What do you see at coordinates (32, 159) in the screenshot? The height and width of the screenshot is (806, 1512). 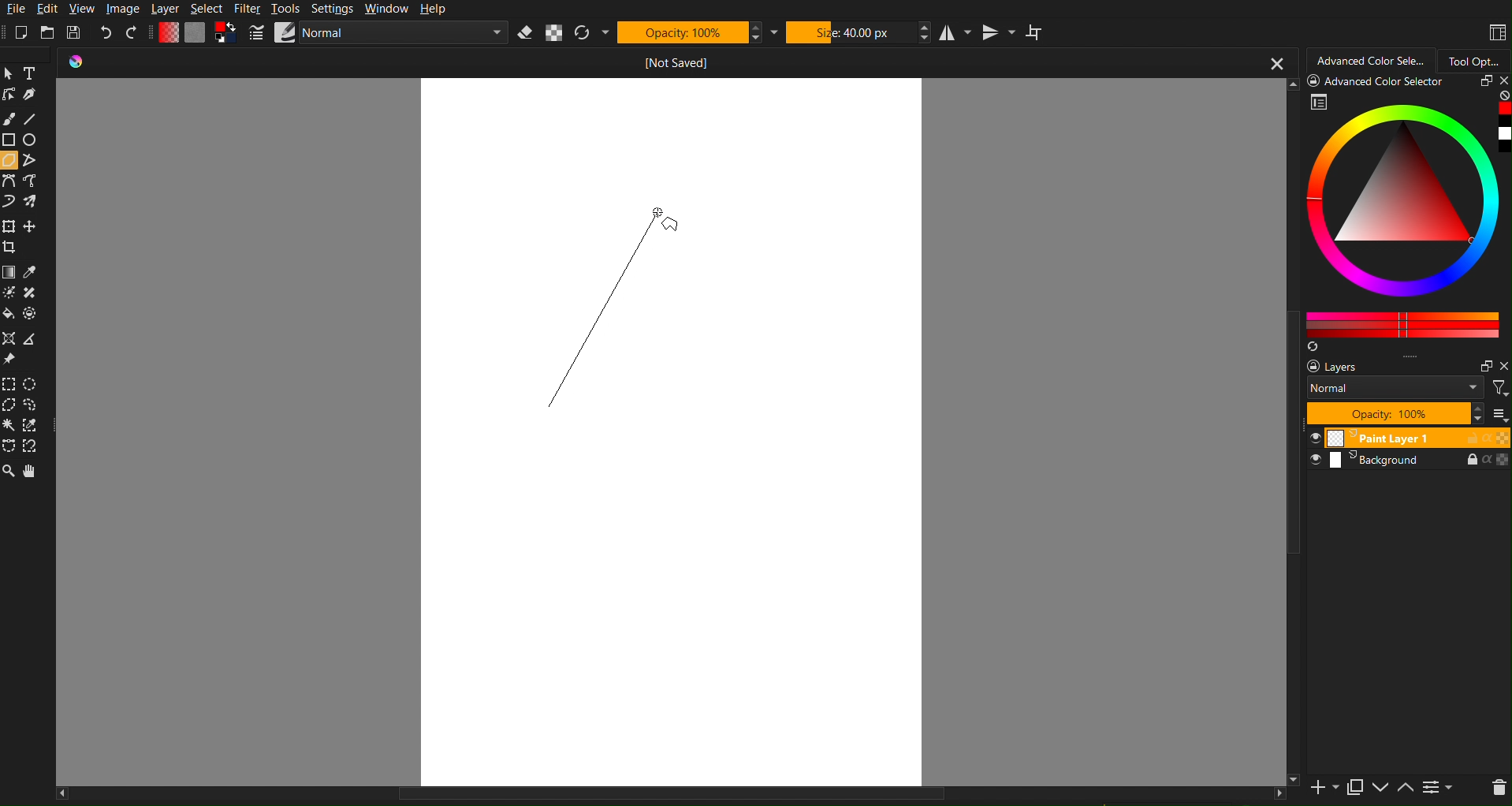 I see `polyline tool` at bounding box center [32, 159].